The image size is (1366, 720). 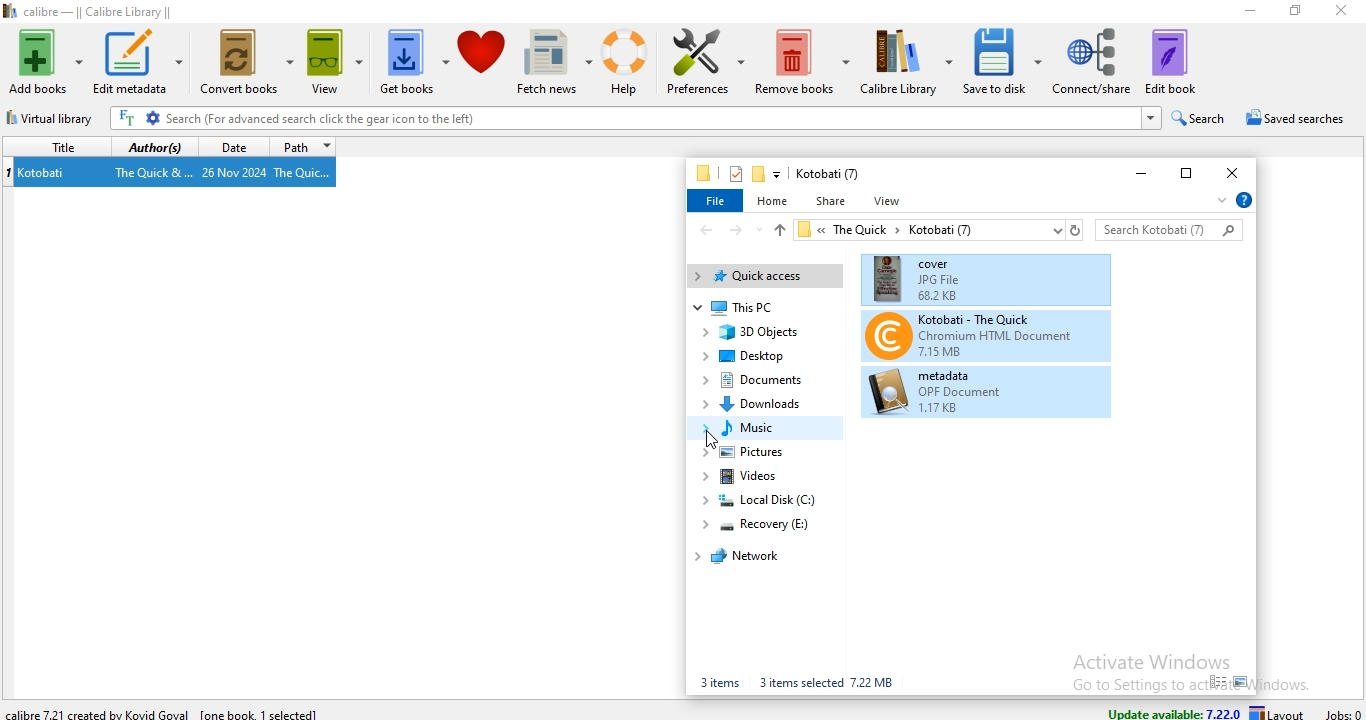 What do you see at coordinates (1242, 13) in the screenshot?
I see `minimise` at bounding box center [1242, 13].